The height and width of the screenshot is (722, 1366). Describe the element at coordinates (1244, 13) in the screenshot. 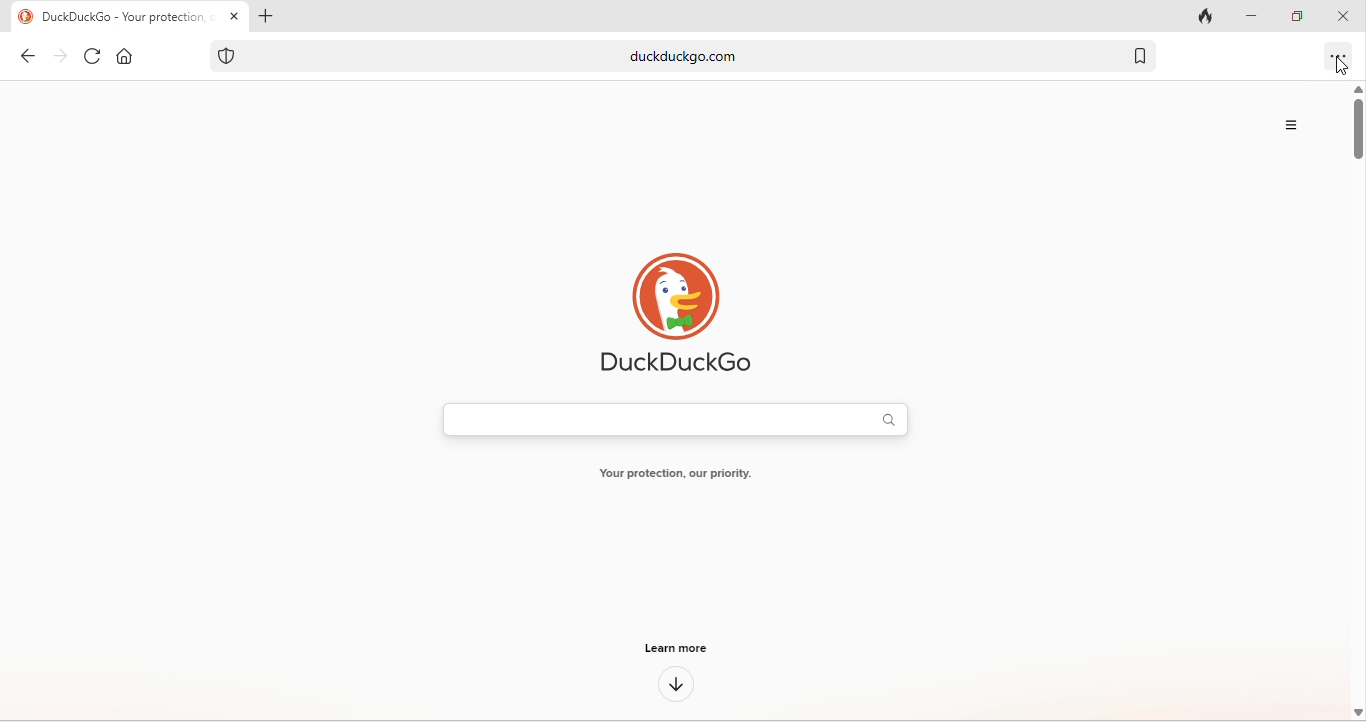

I see `minimize` at that location.